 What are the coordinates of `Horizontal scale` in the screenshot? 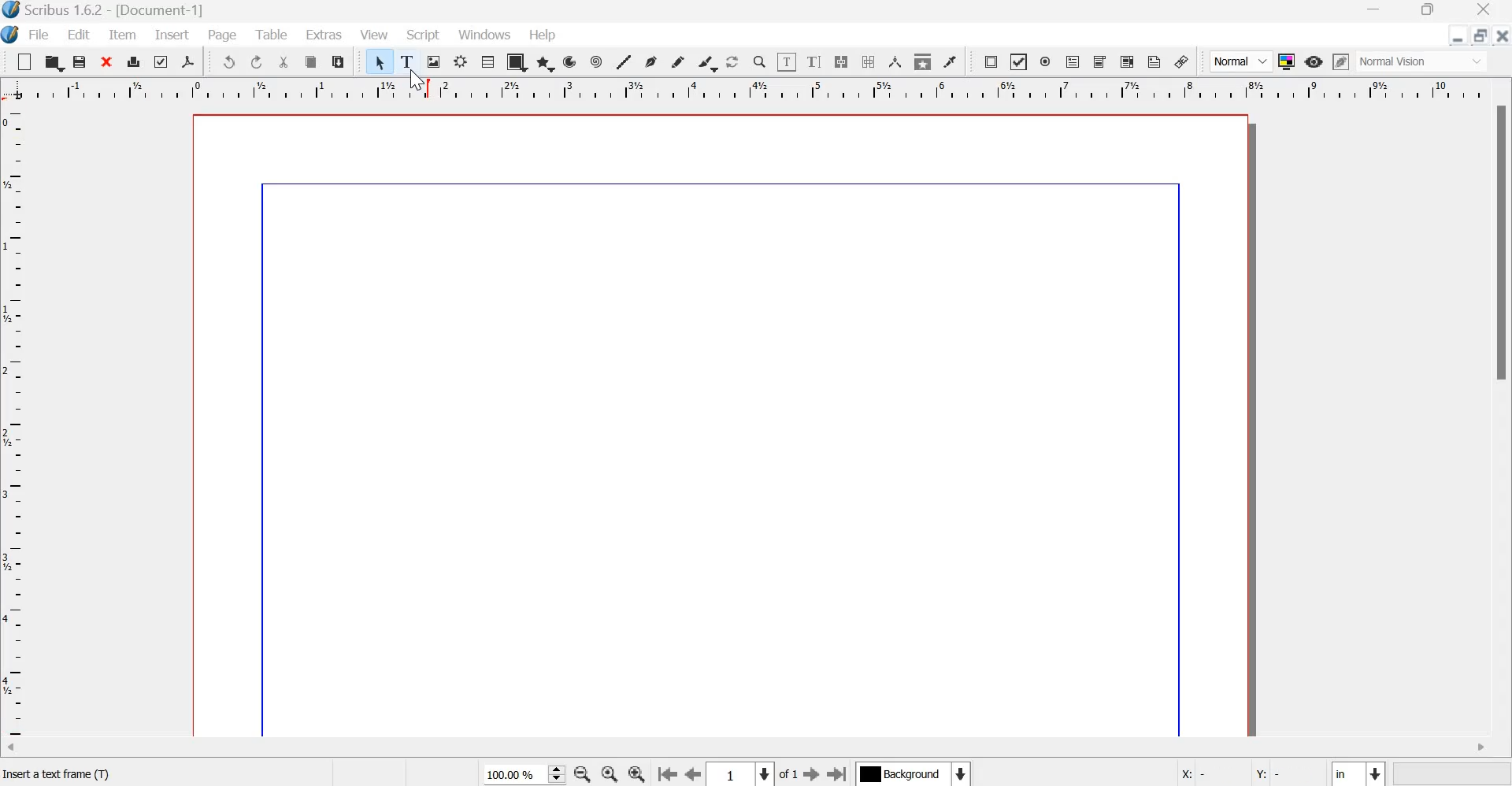 It's located at (754, 92).